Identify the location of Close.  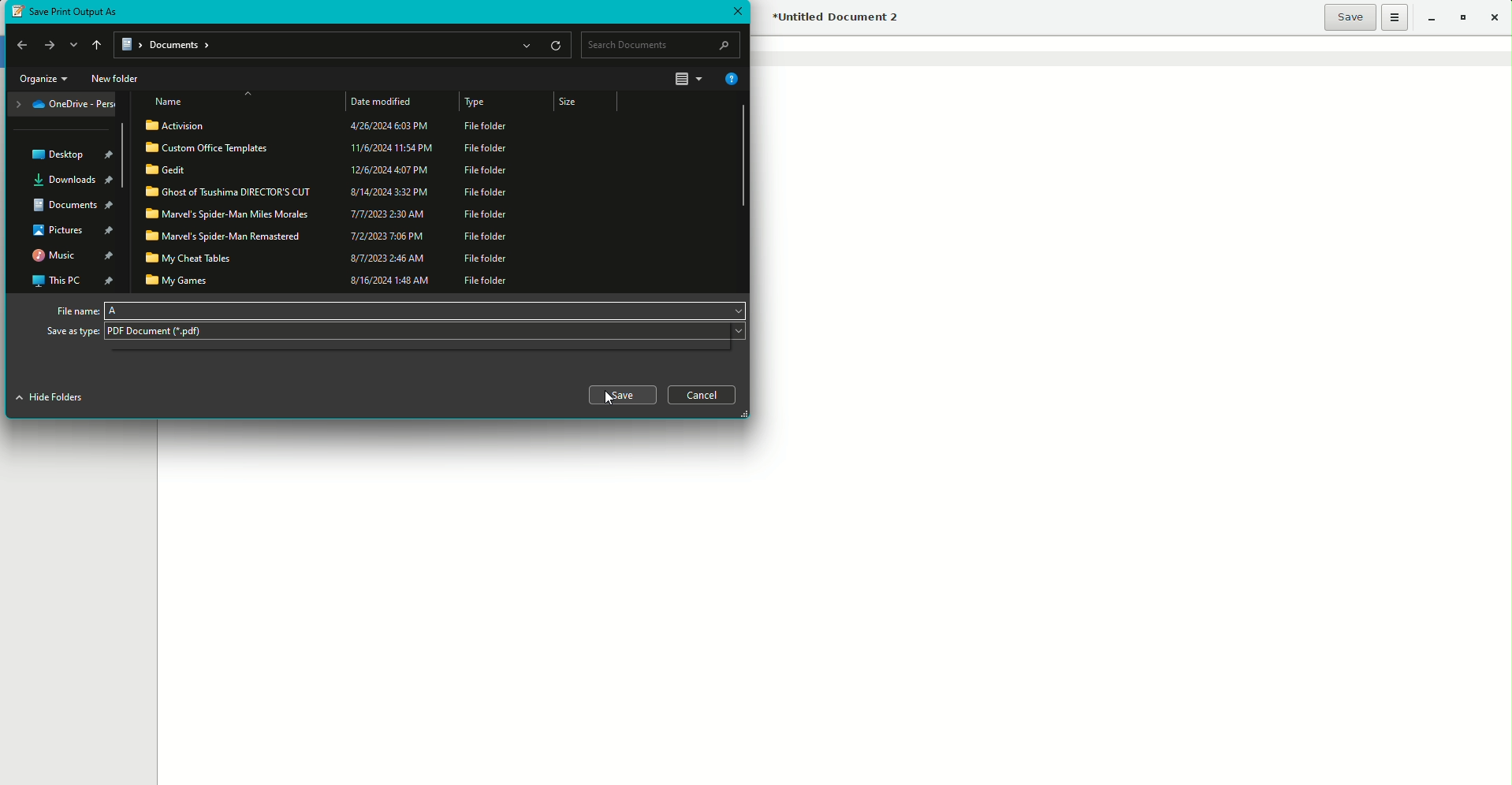
(737, 9).